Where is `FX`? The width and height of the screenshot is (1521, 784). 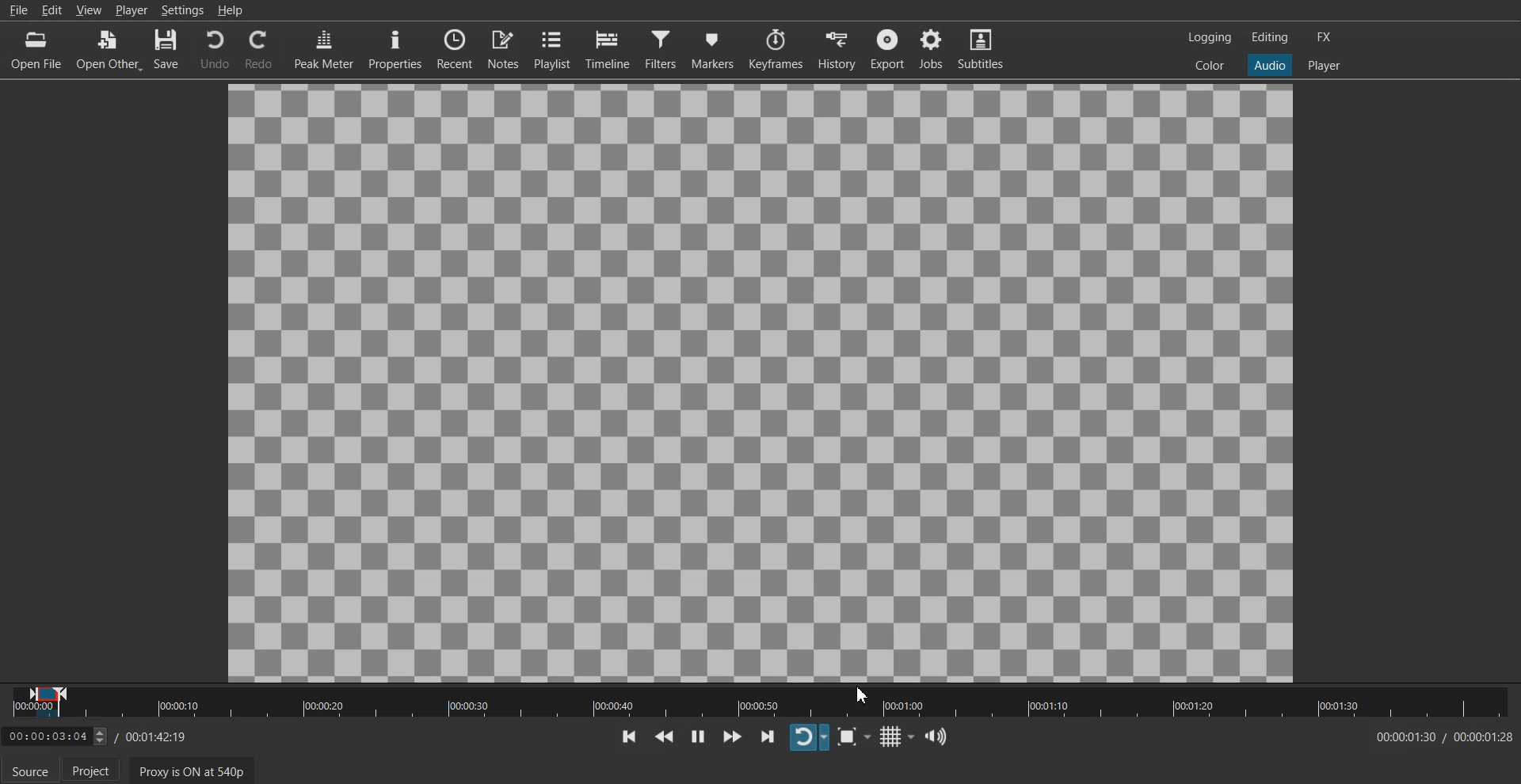 FX is located at coordinates (1325, 36).